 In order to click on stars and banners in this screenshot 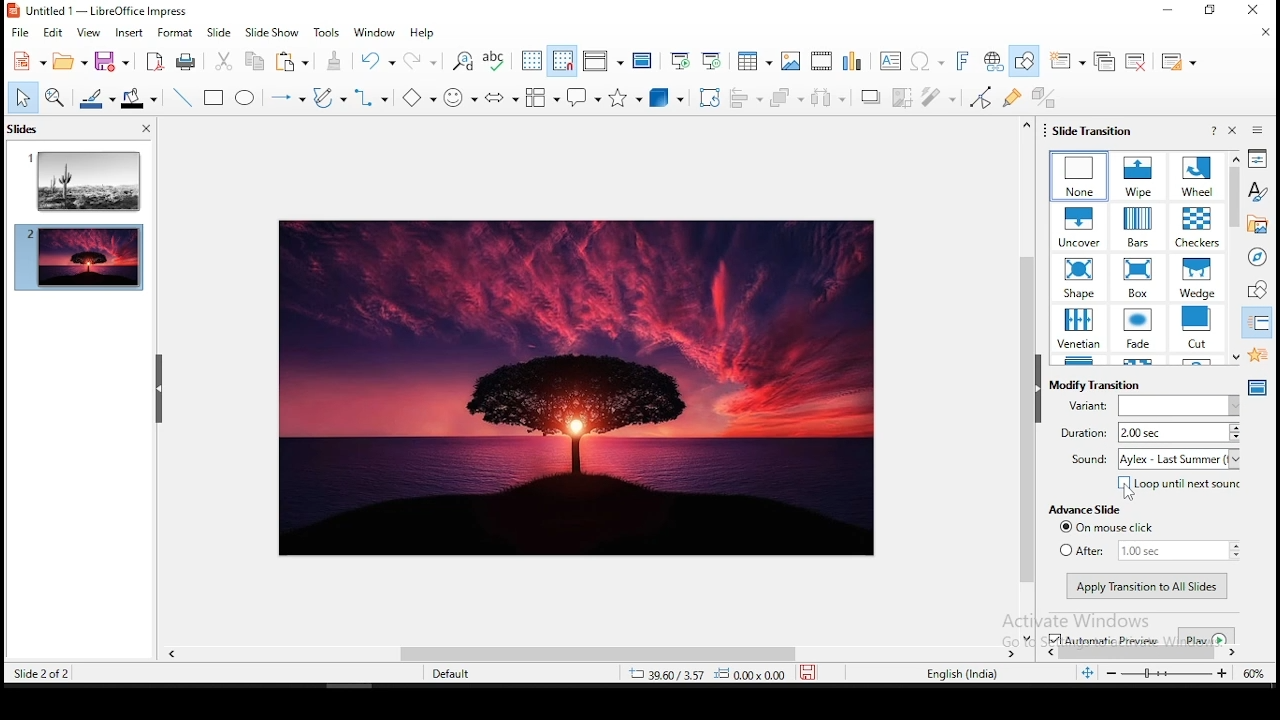, I will do `click(627, 97)`.